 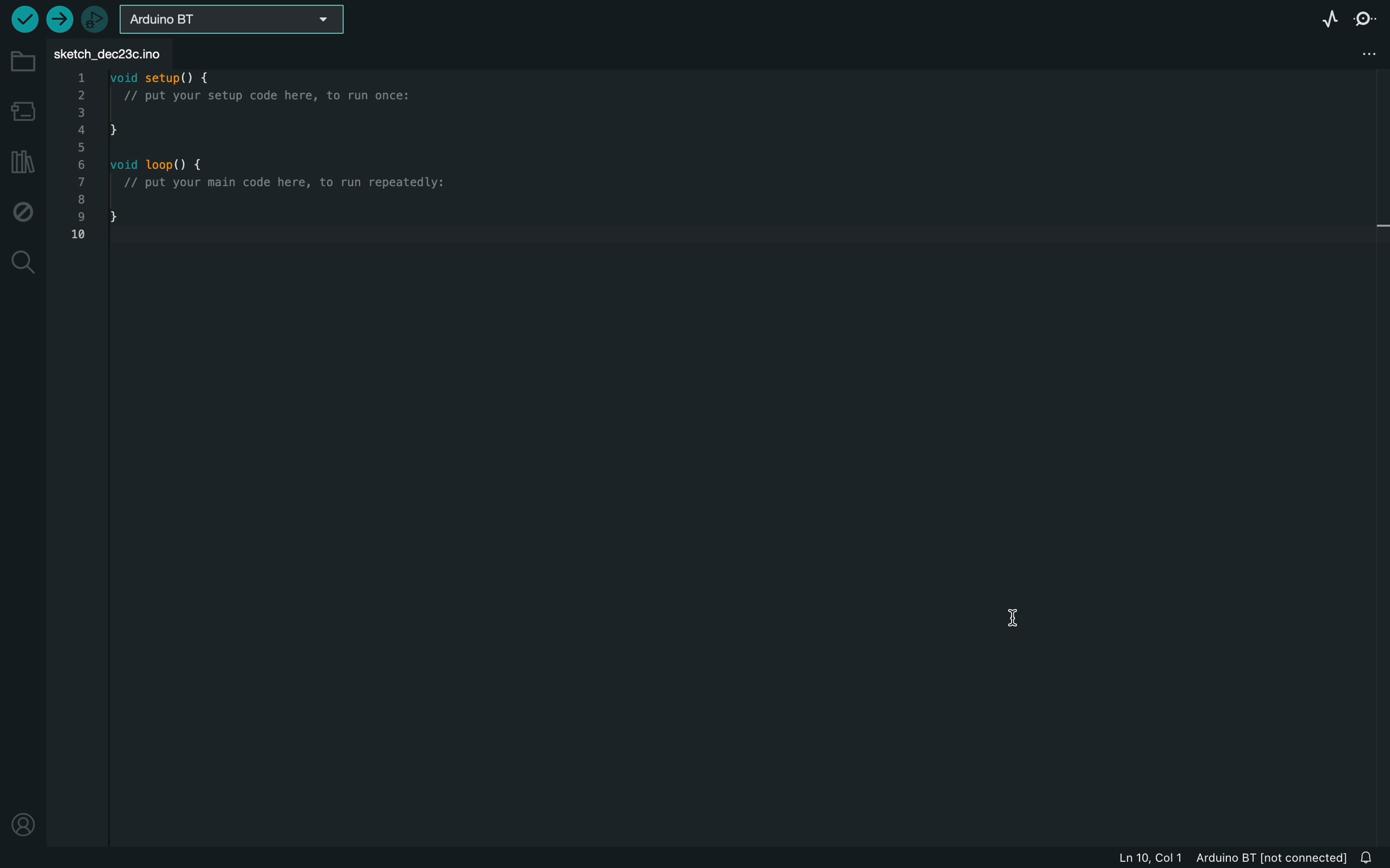 I want to click on notification, so click(x=1370, y=857).